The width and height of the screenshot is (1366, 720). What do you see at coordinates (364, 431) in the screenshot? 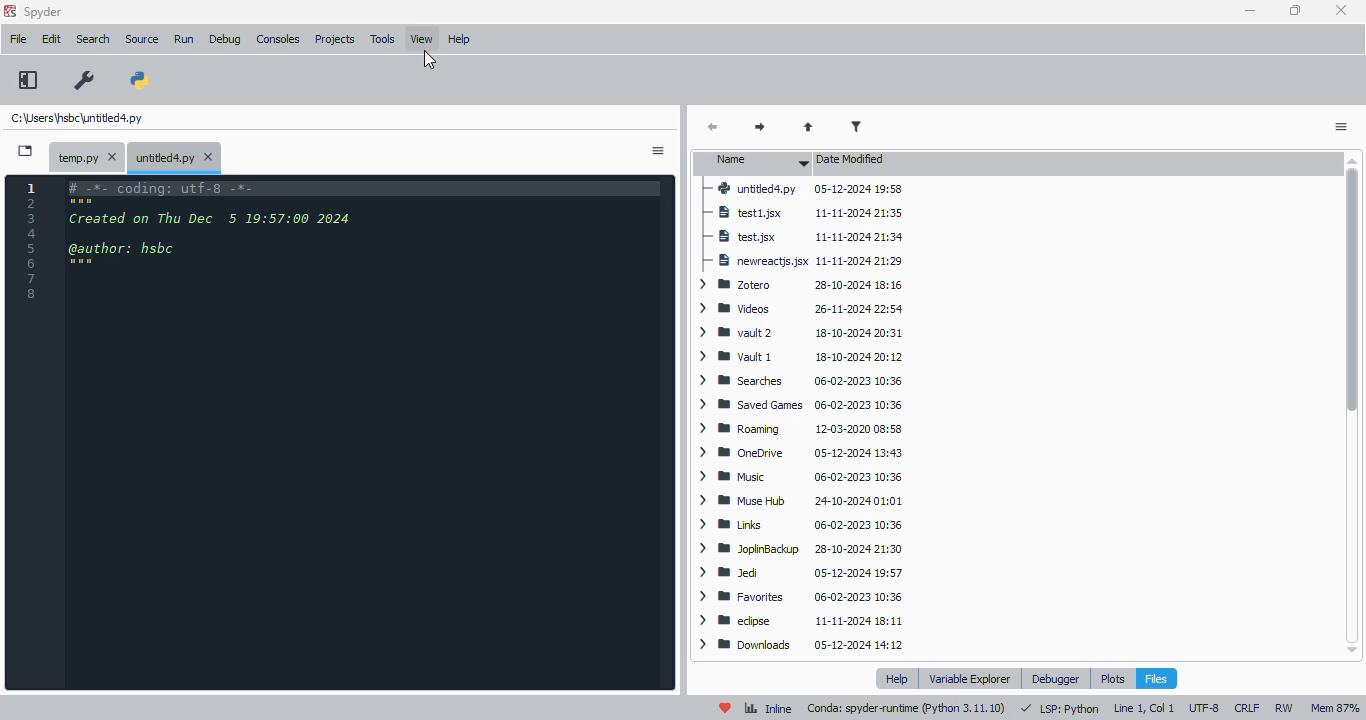
I see `editor` at bounding box center [364, 431].